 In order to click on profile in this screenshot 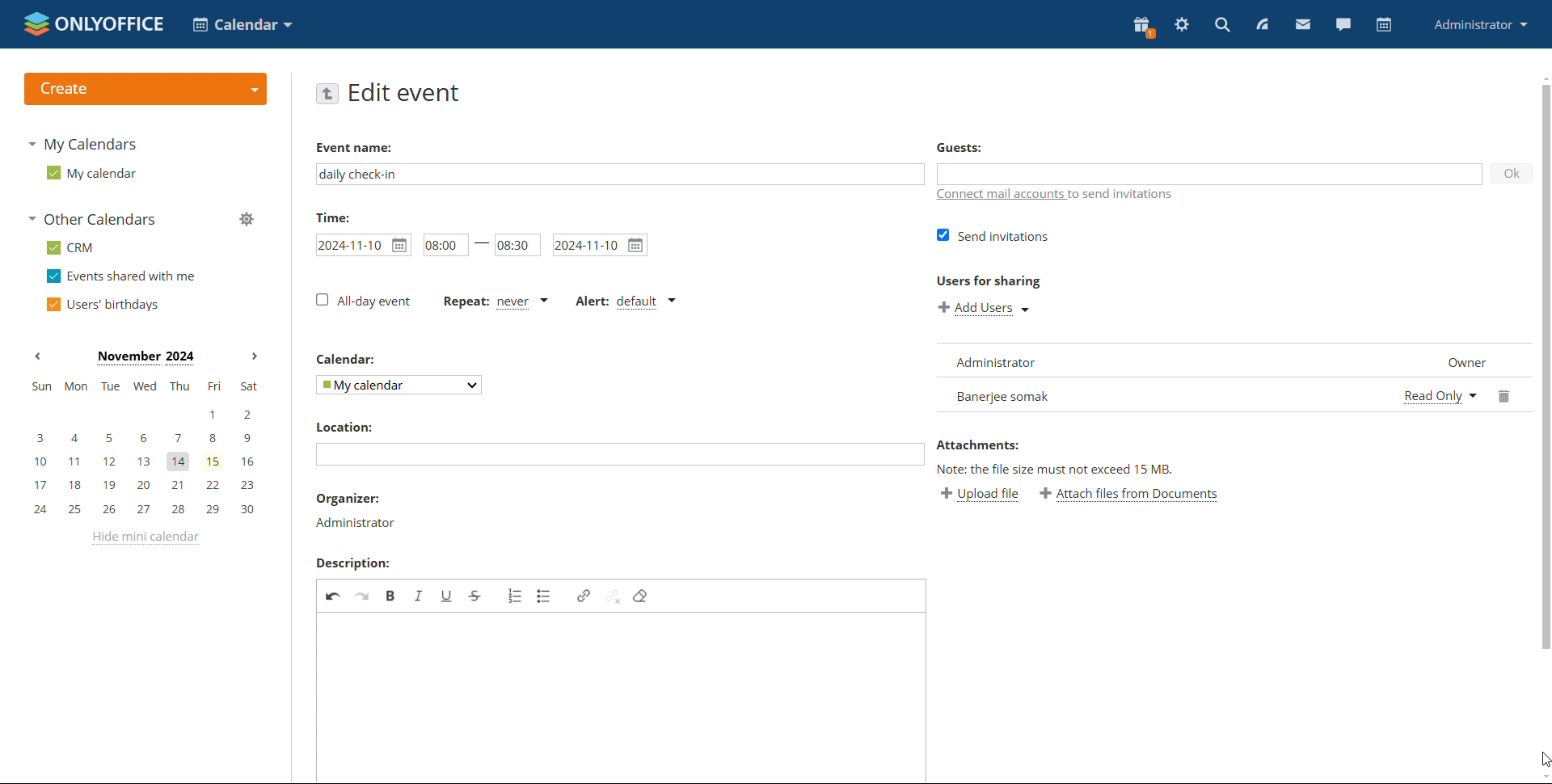, I will do `click(1482, 24)`.